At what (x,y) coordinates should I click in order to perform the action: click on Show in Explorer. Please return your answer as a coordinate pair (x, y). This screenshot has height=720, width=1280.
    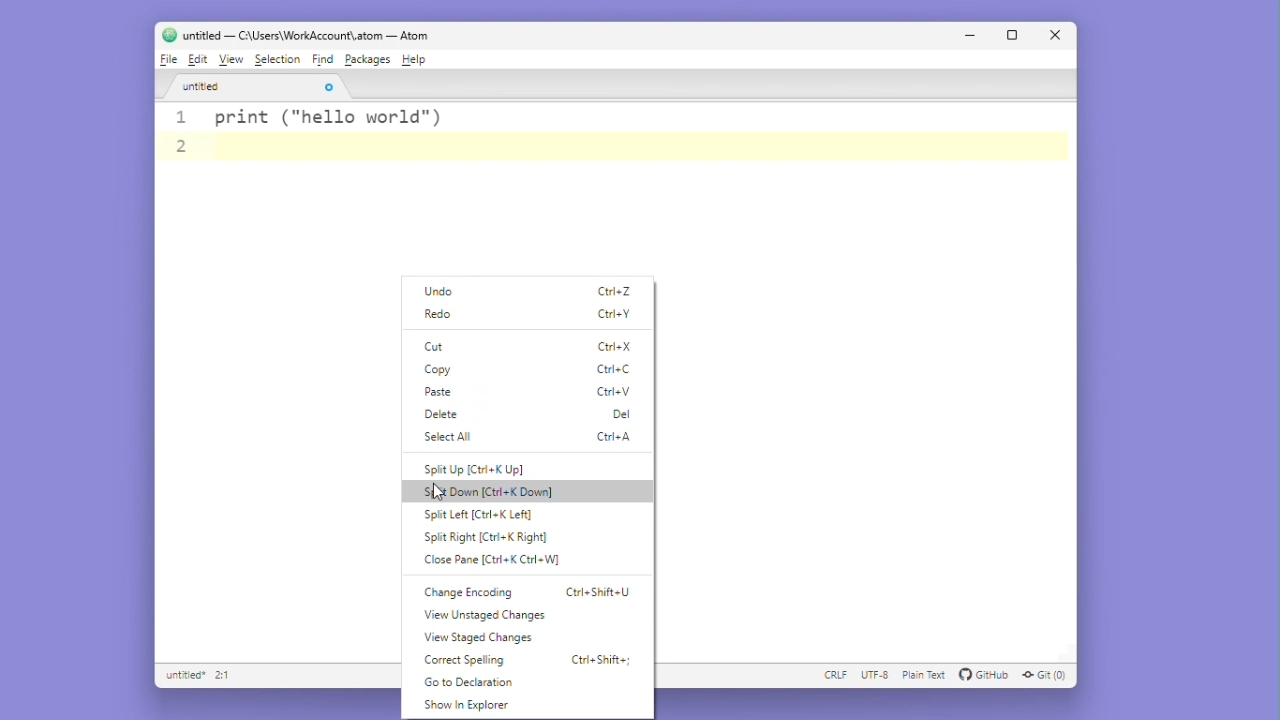
    Looking at the image, I should click on (482, 706).